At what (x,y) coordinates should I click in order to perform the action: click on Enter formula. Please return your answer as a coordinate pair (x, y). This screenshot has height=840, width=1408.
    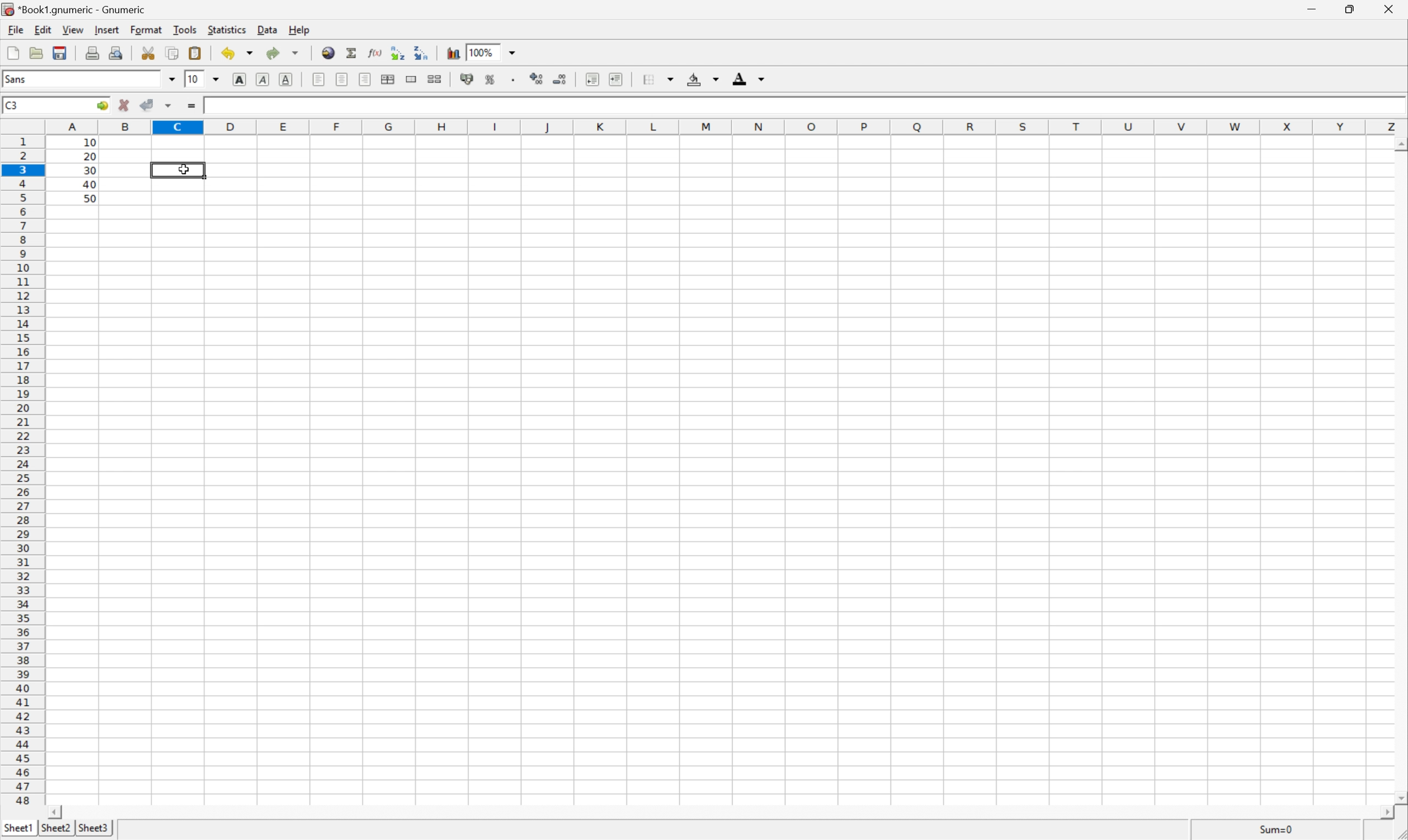
    Looking at the image, I should click on (191, 106).